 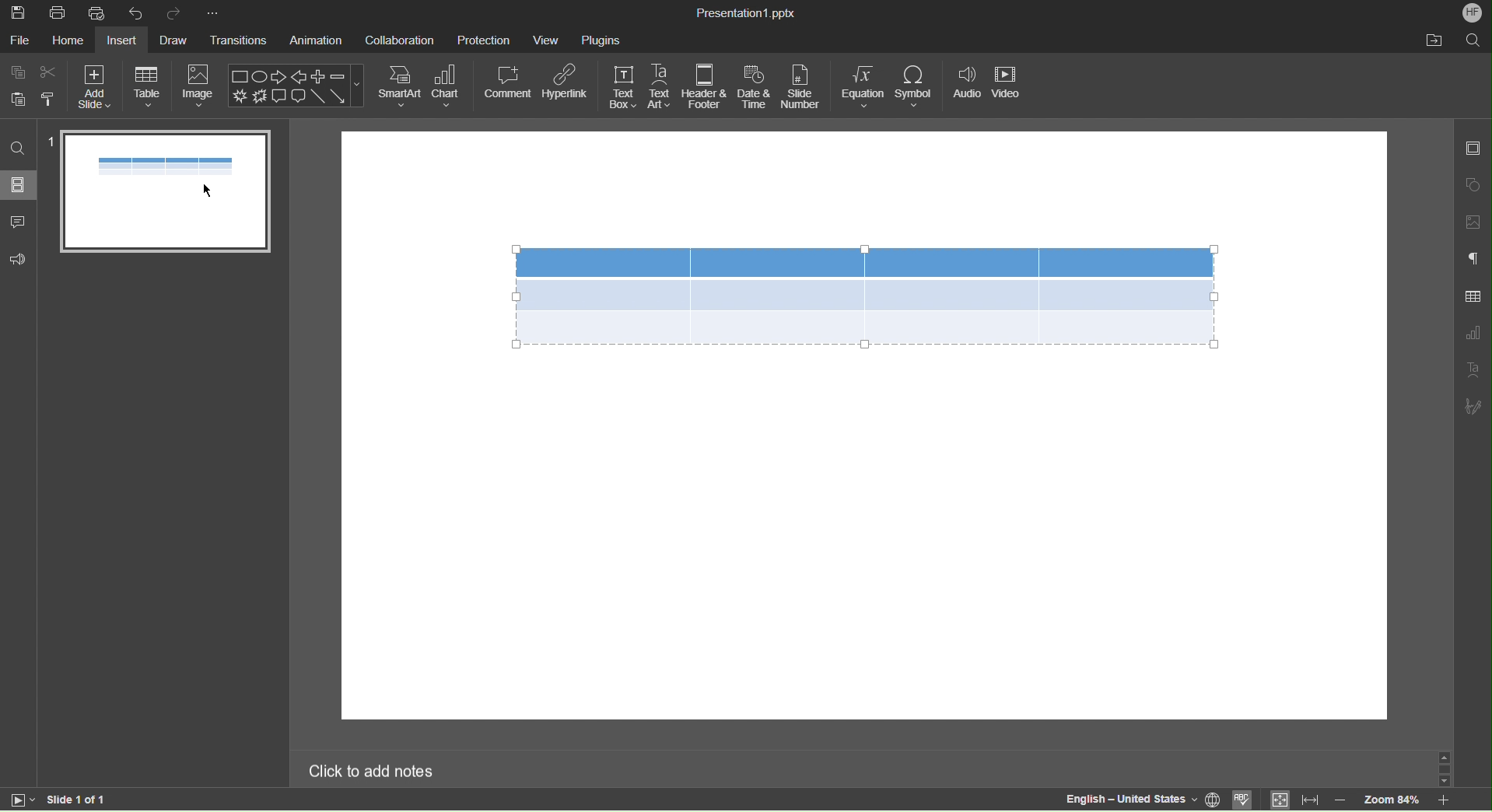 What do you see at coordinates (1434, 40) in the screenshot?
I see `Open Folder` at bounding box center [1434, 40].